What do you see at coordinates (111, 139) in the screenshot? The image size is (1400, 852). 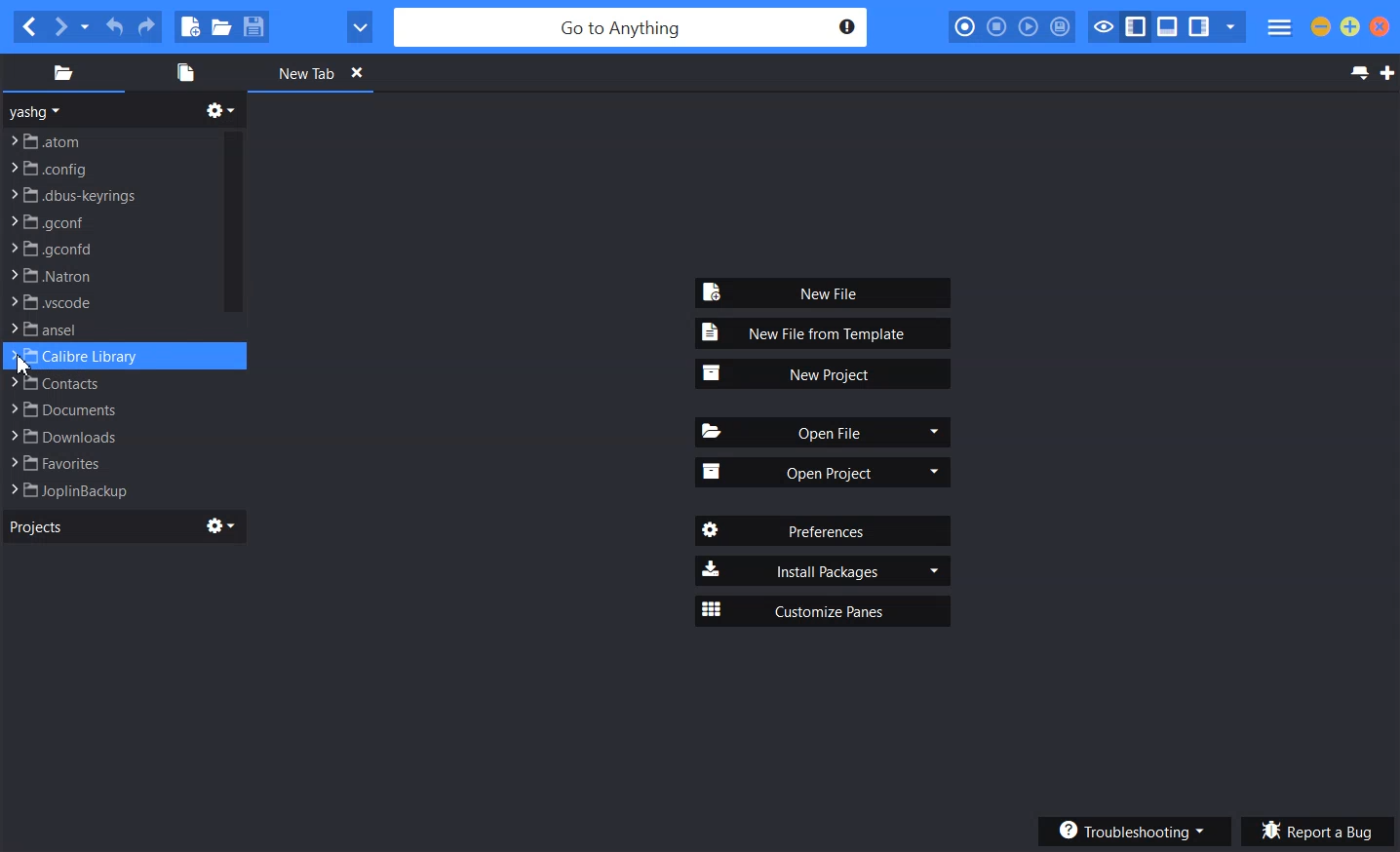 I see `File` at bounding box center [111, 139].